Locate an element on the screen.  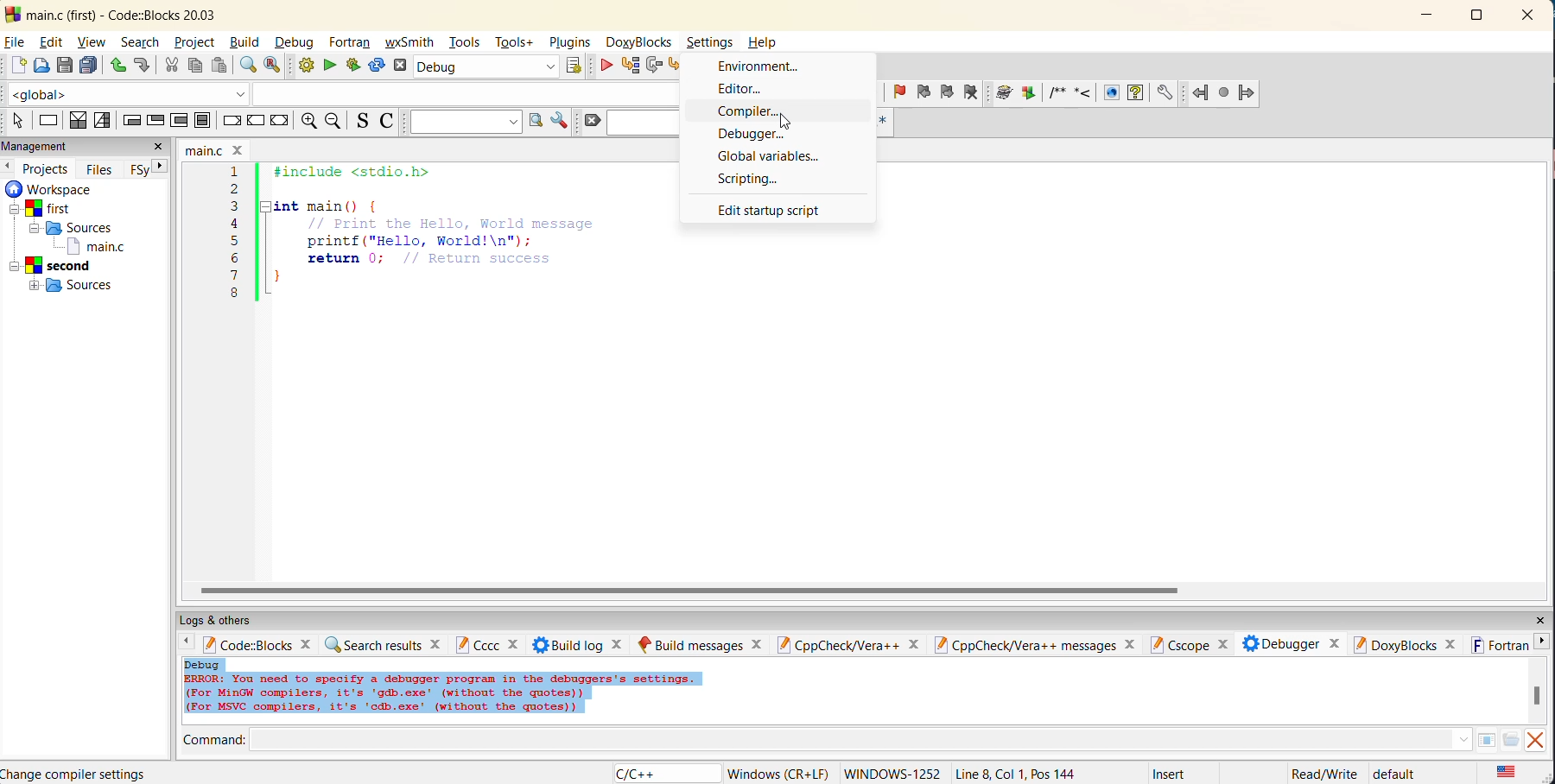
main.c (first) - Code::Blocks 20.03 is located at coordinates (116, 15).